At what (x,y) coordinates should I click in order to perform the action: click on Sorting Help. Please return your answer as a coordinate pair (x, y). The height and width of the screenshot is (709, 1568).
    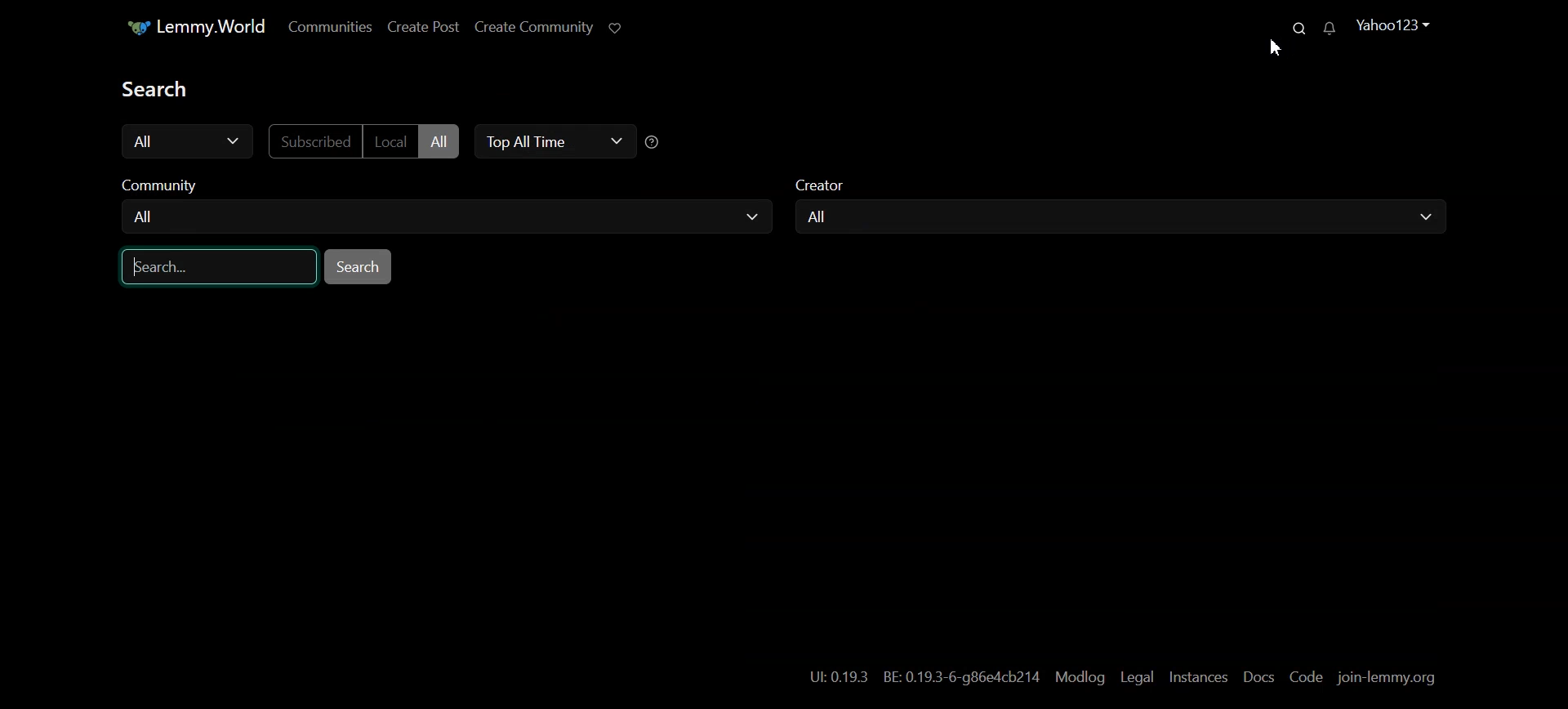
    Looking at the image, I should click on (656, 141).